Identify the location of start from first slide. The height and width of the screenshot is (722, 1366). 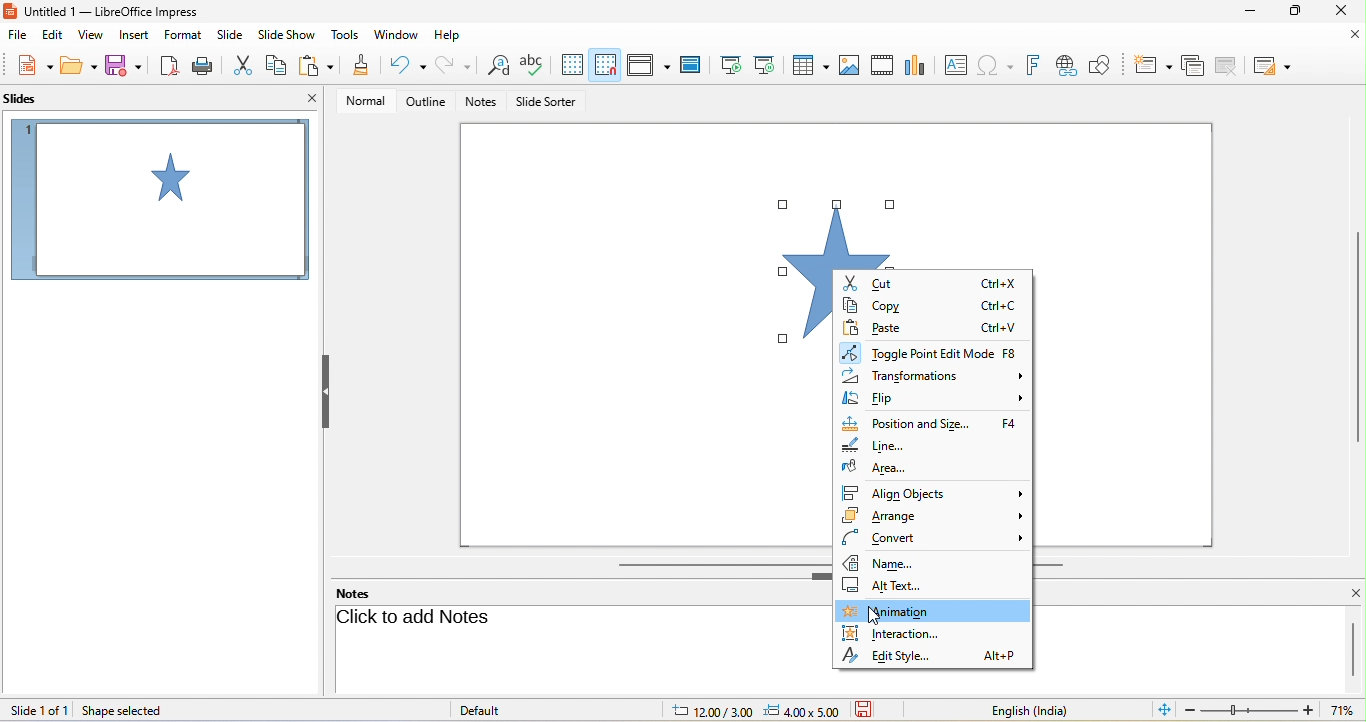
(728, 65).